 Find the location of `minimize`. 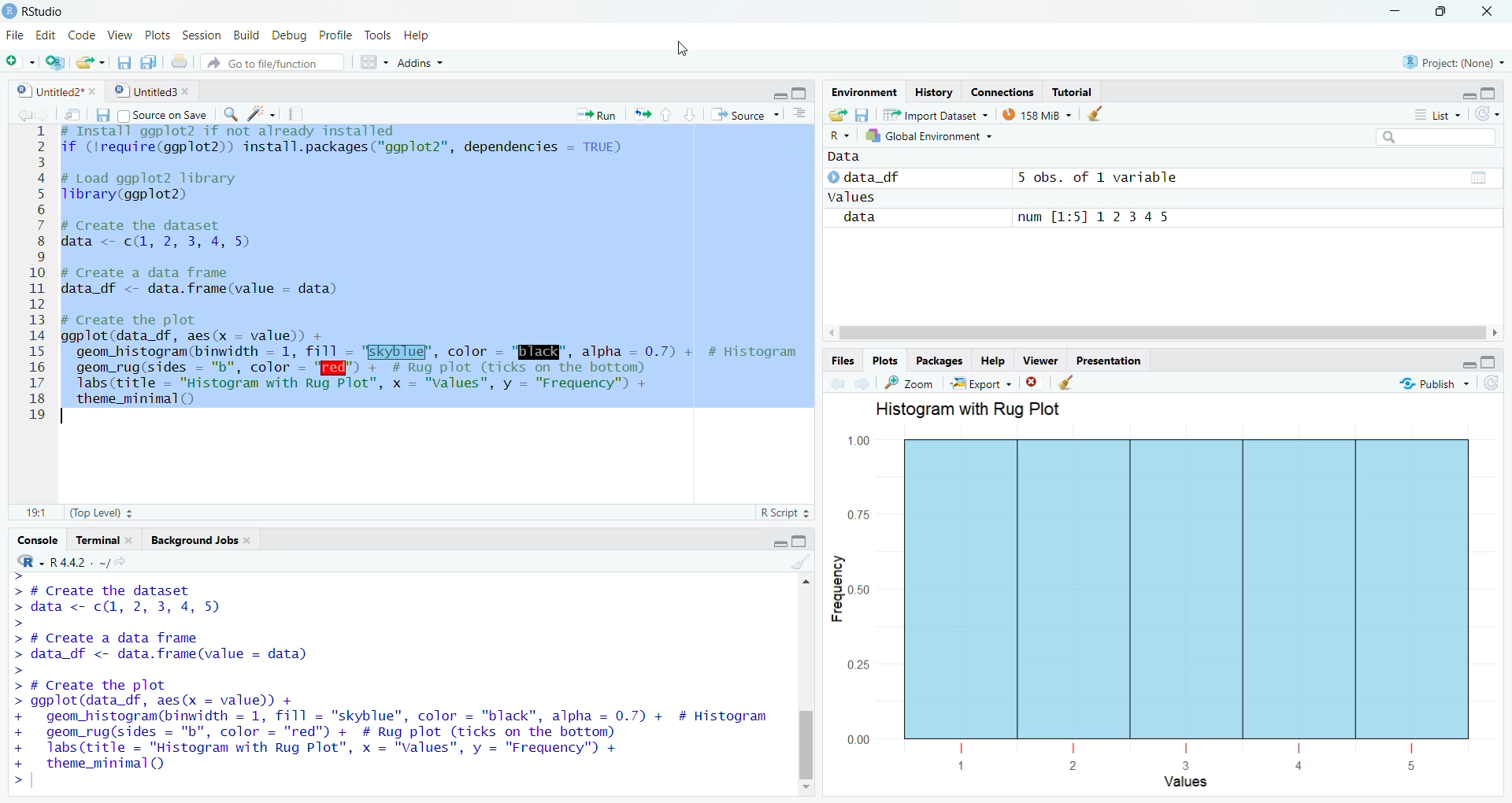

minimize is located at coordinates (1393, 13).